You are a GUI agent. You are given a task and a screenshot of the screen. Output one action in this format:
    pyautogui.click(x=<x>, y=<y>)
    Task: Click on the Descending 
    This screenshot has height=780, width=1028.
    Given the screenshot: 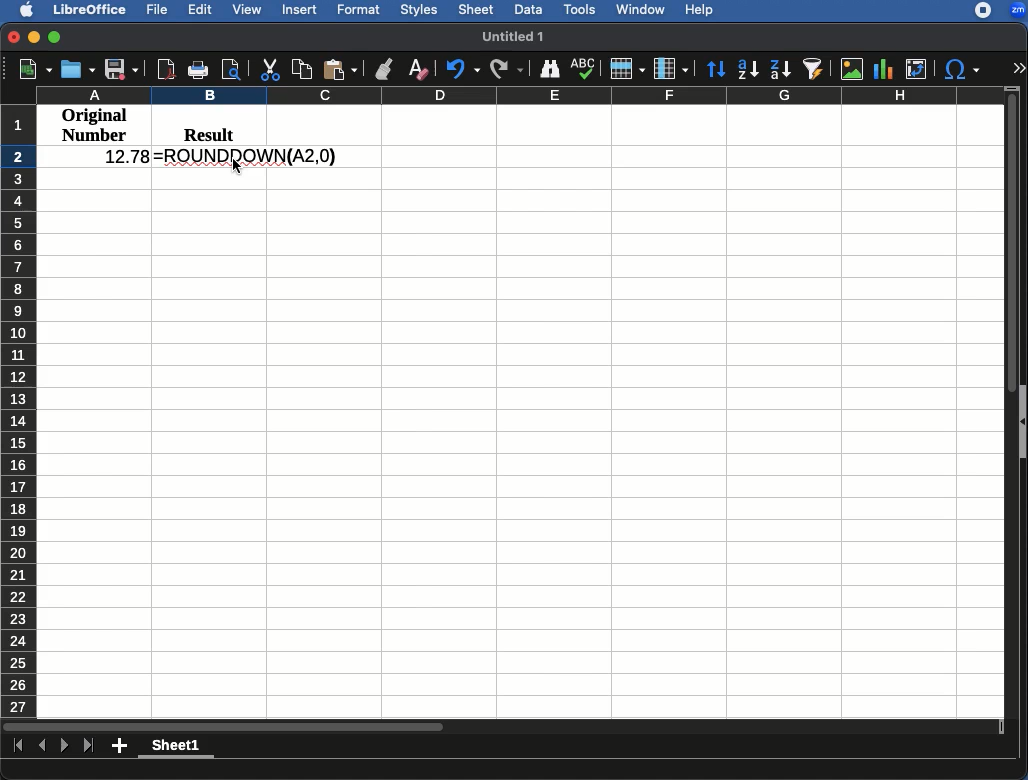 What is the action you would take?
    pyautogui.click(x=779, y=69)
    